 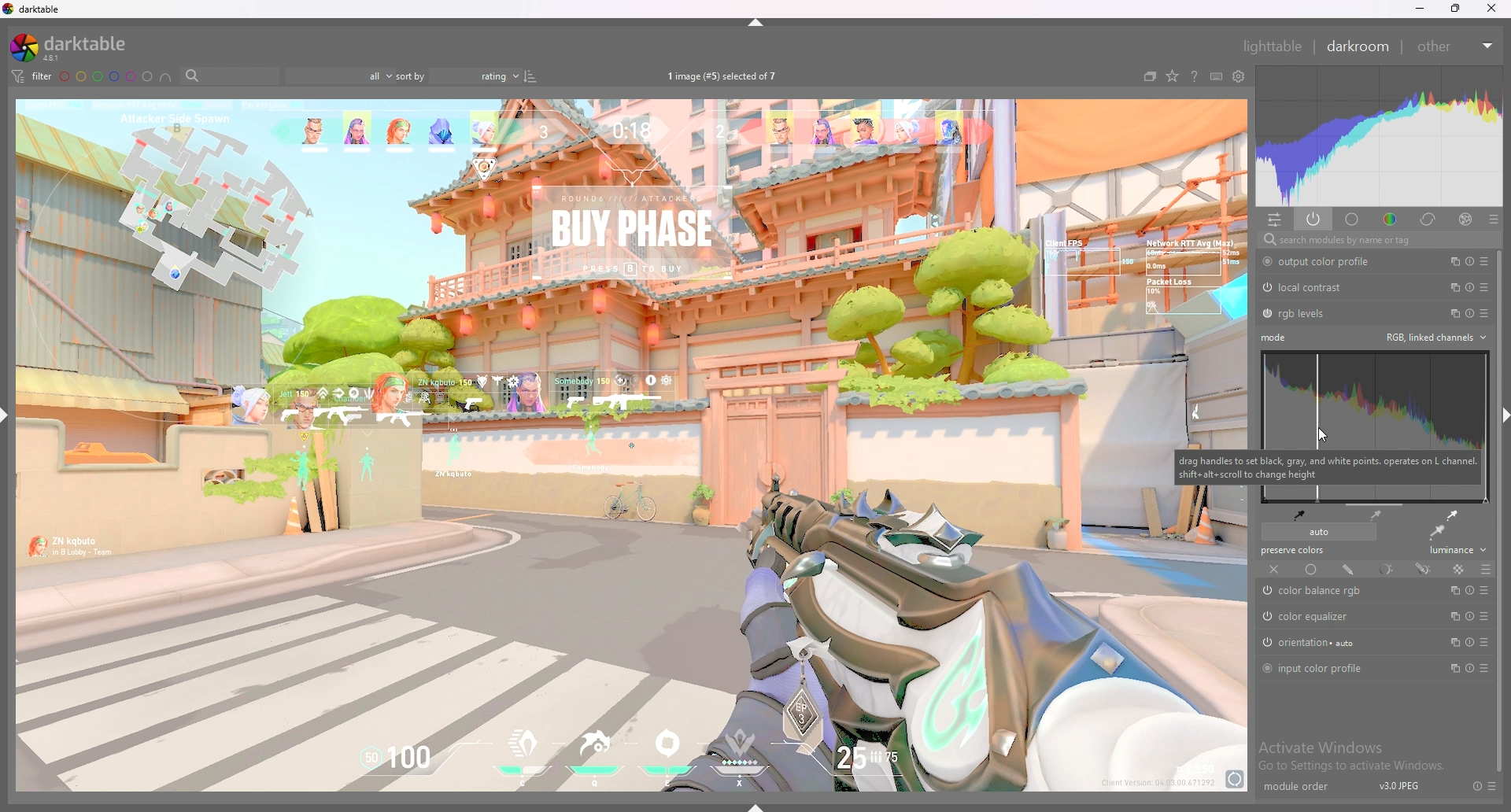 I want to click on filter, so click(x=32, y=77).